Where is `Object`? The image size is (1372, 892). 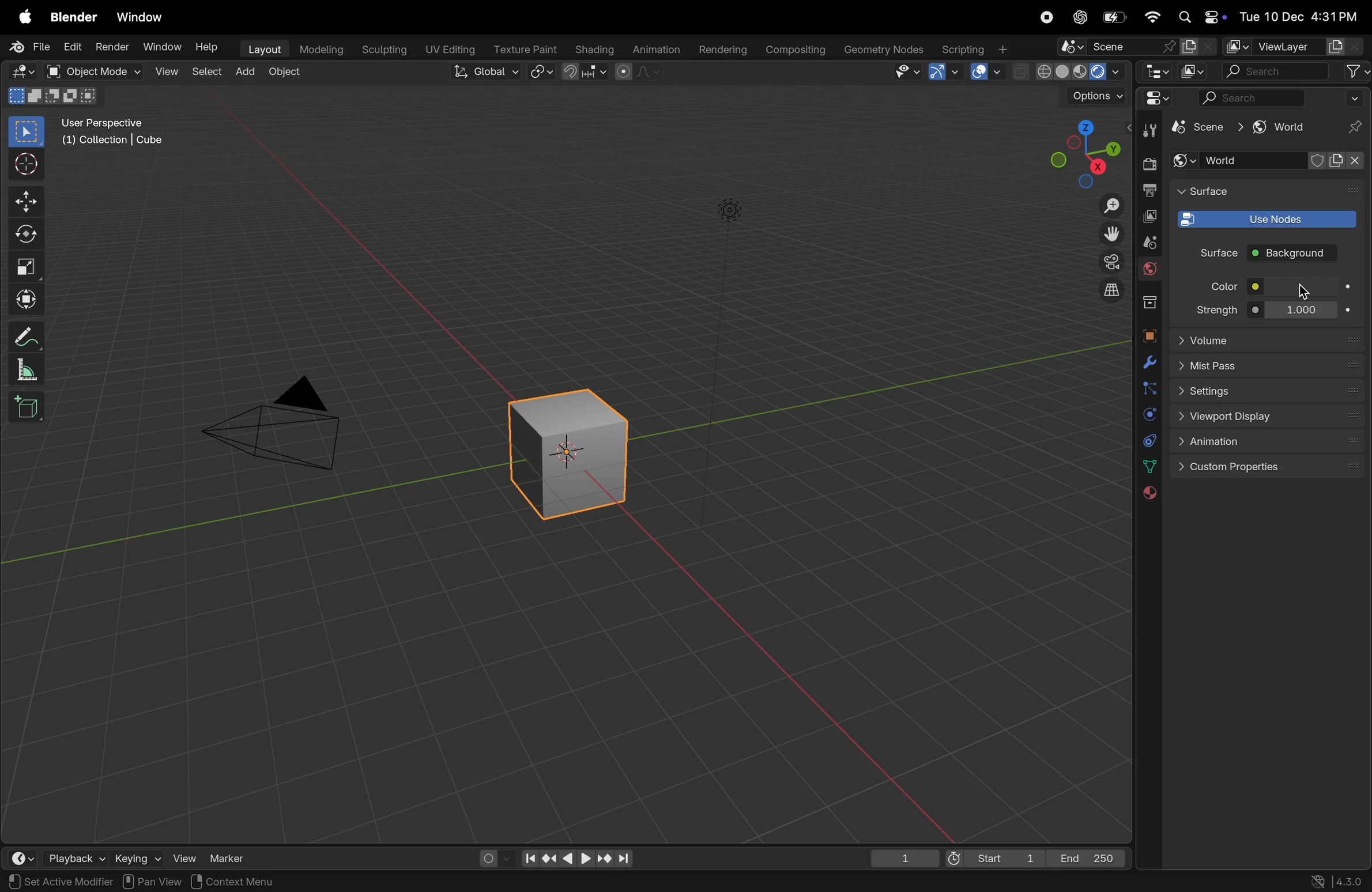 Object is located at coordinates (287, 73).